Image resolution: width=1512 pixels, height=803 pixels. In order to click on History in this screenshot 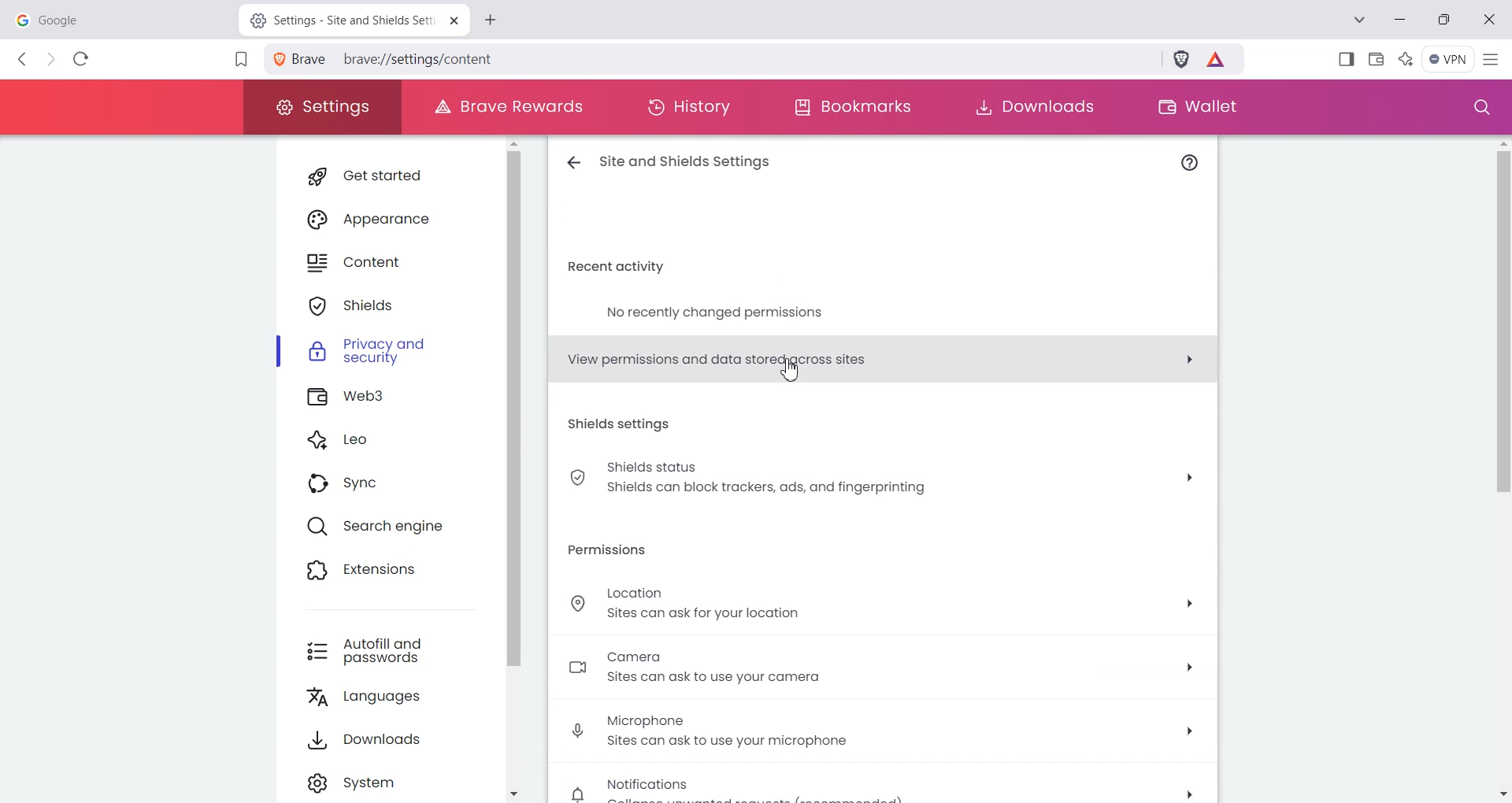, I will do `click(689, 107)`.